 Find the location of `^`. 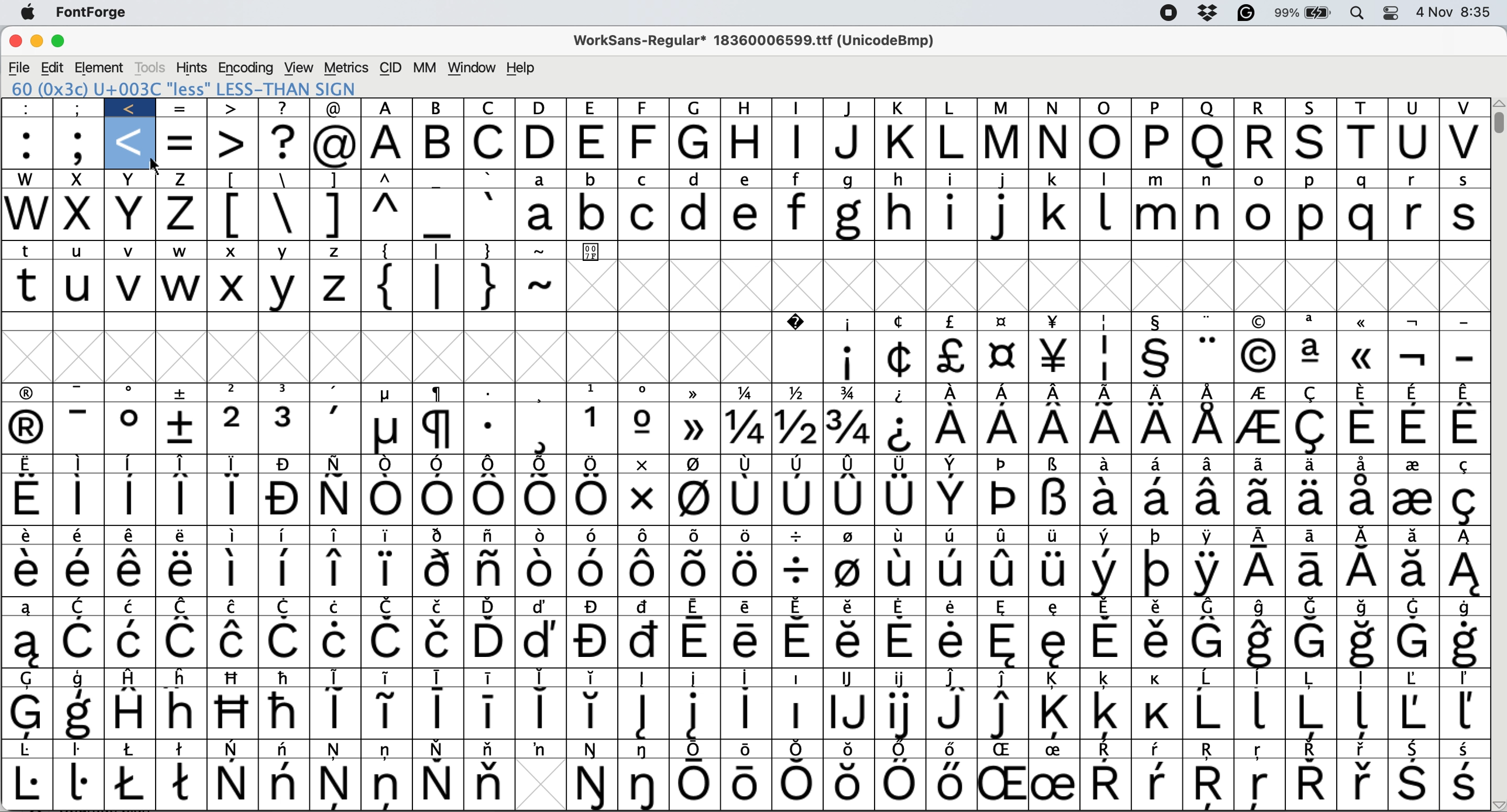

^ is located at coordinates (388, 214).